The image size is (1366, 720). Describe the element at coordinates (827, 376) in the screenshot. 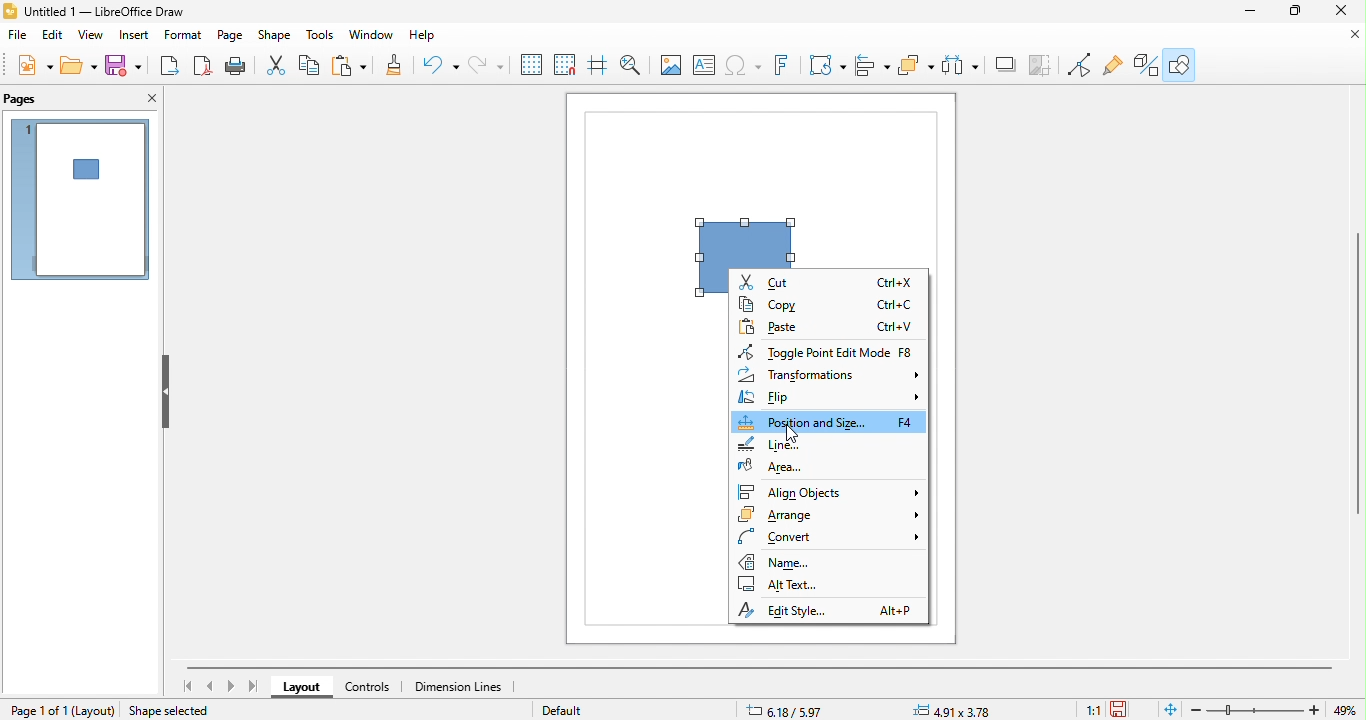

I see `transformation` at that location.